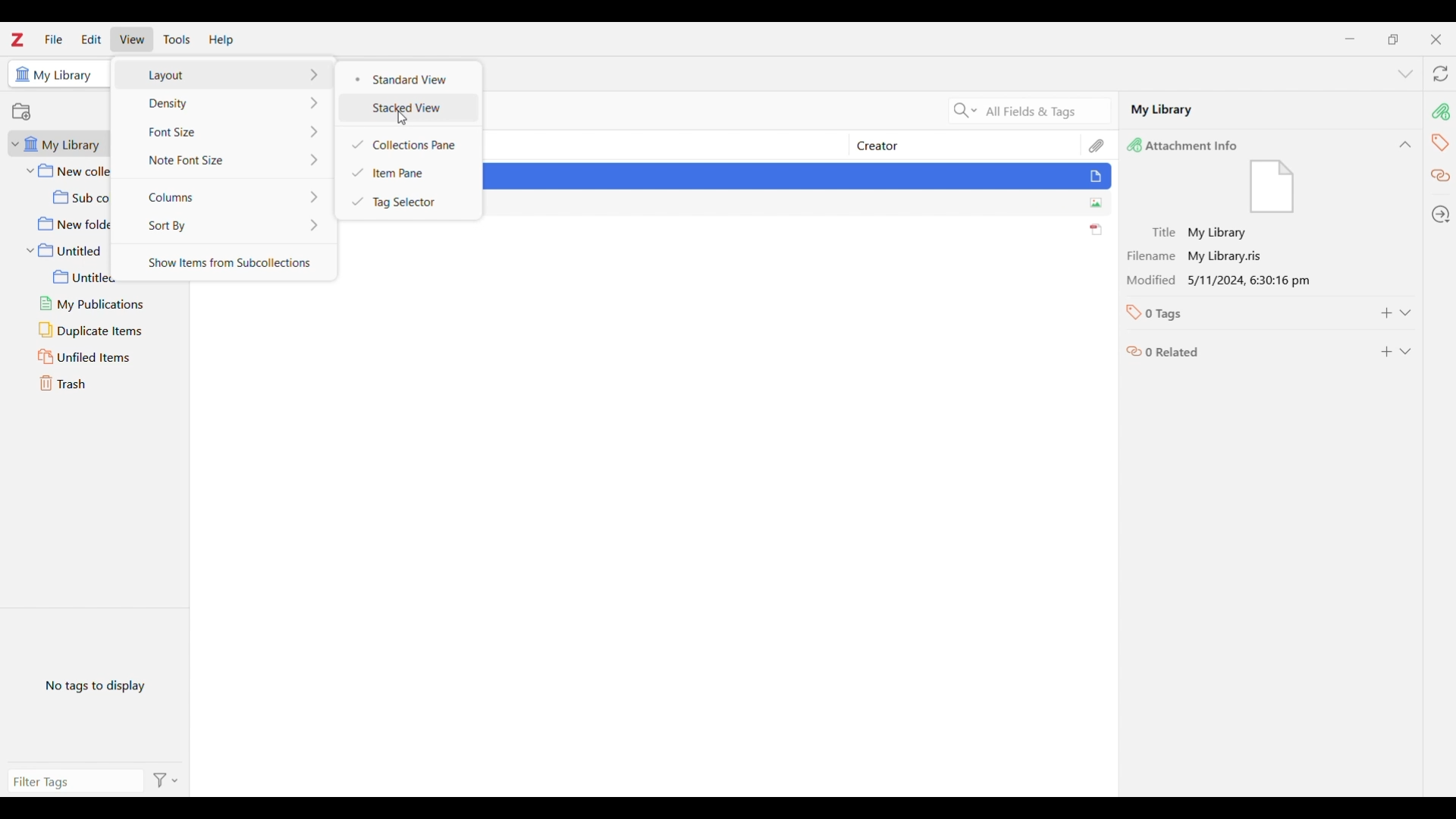 The image size is (1456, 819). Describe the element at coordinates (1440, 74) in the screenshot. I see `Sync with zotero.org` at that location.